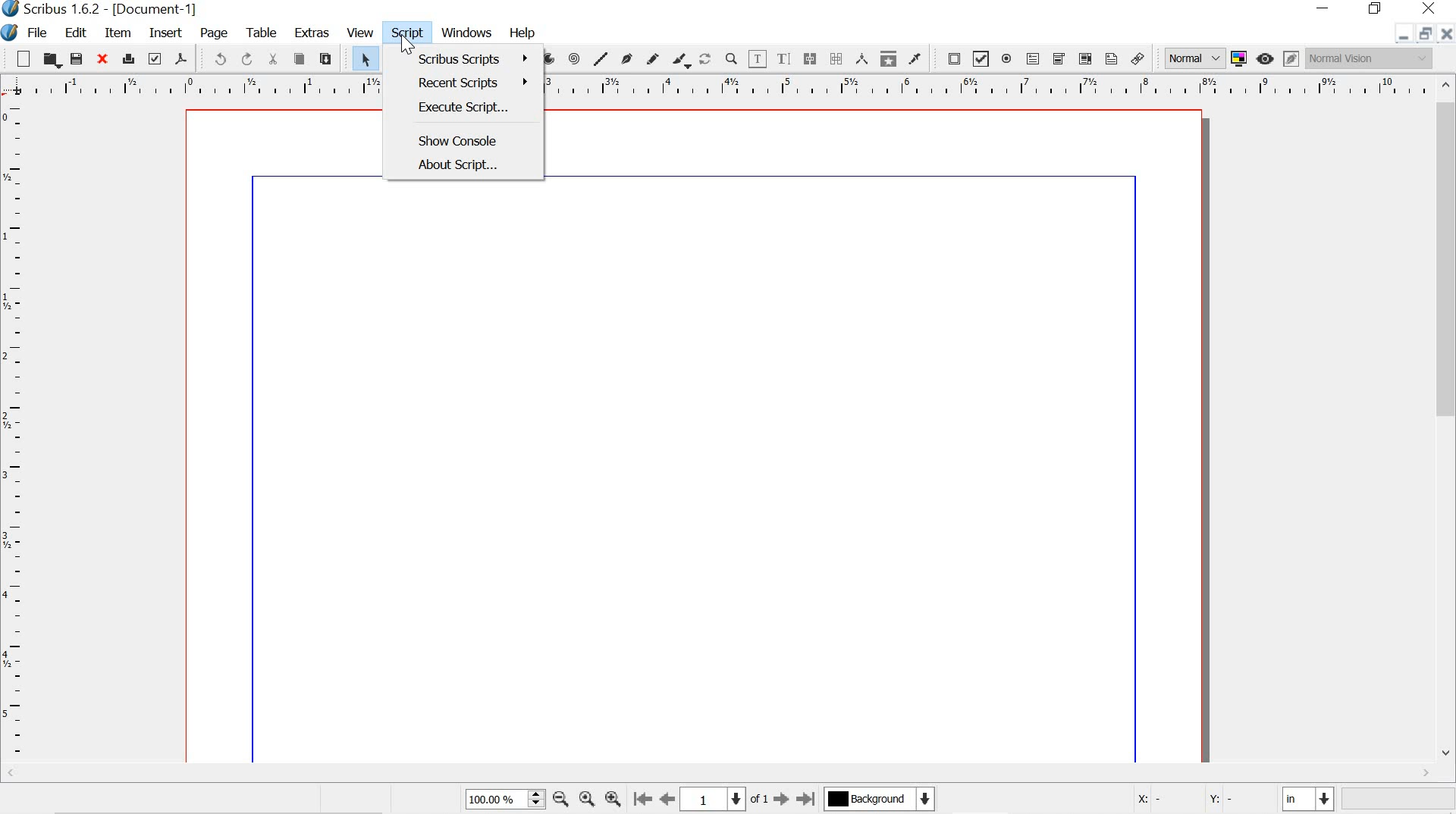 The width and height of the screenshot is (1456, 814). What do you see at coordinates (981, 60) in the screenshot?
I see `pdf check box` at bounding box center [981, 60].